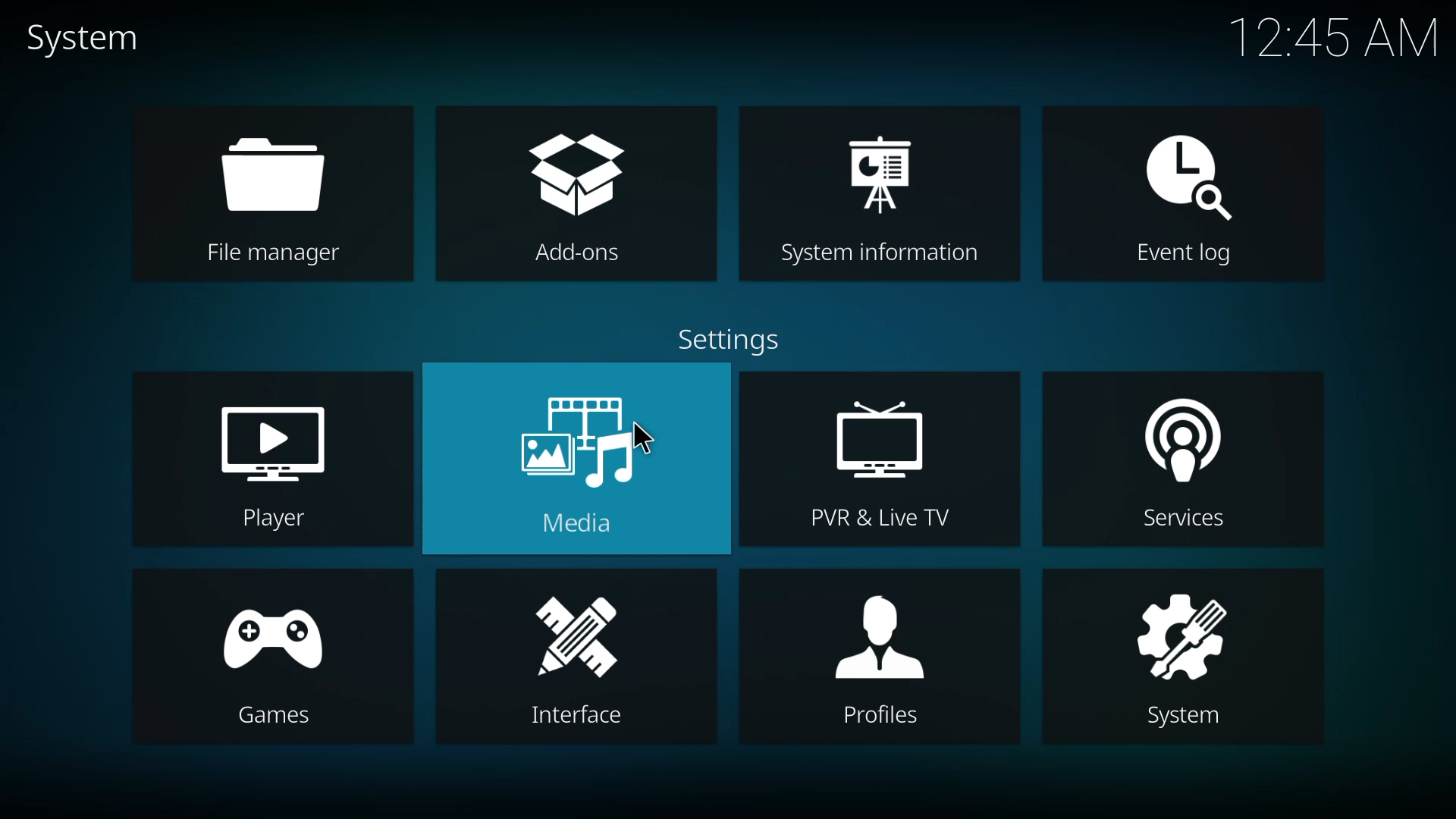 The width and height of the screenshot is (1456, 819). Describe the element at coordinates (275, 467) in the screenshot. I see `player` at that location.